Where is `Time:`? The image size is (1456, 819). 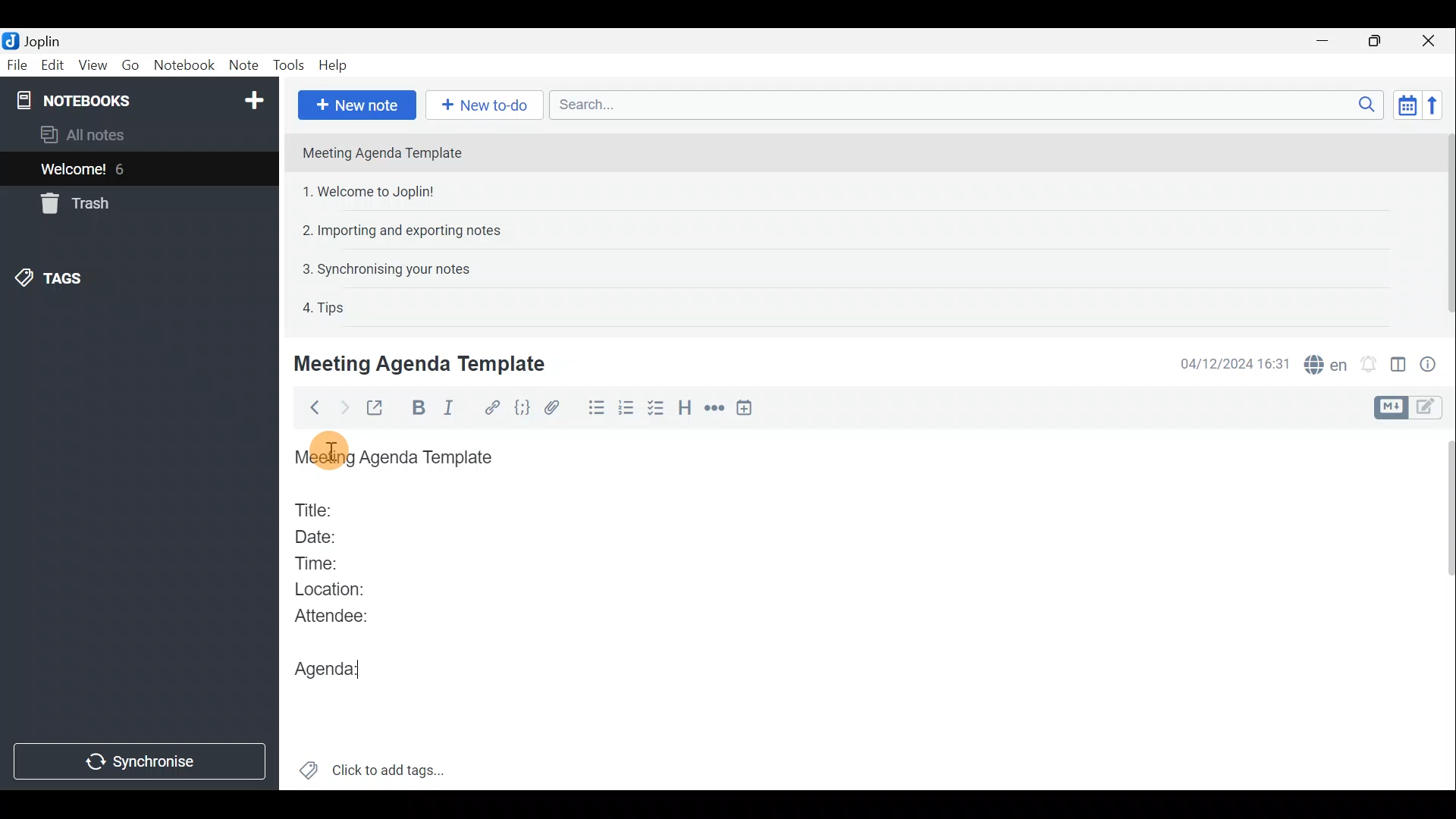
Time: is located at coordinates (317, 560).